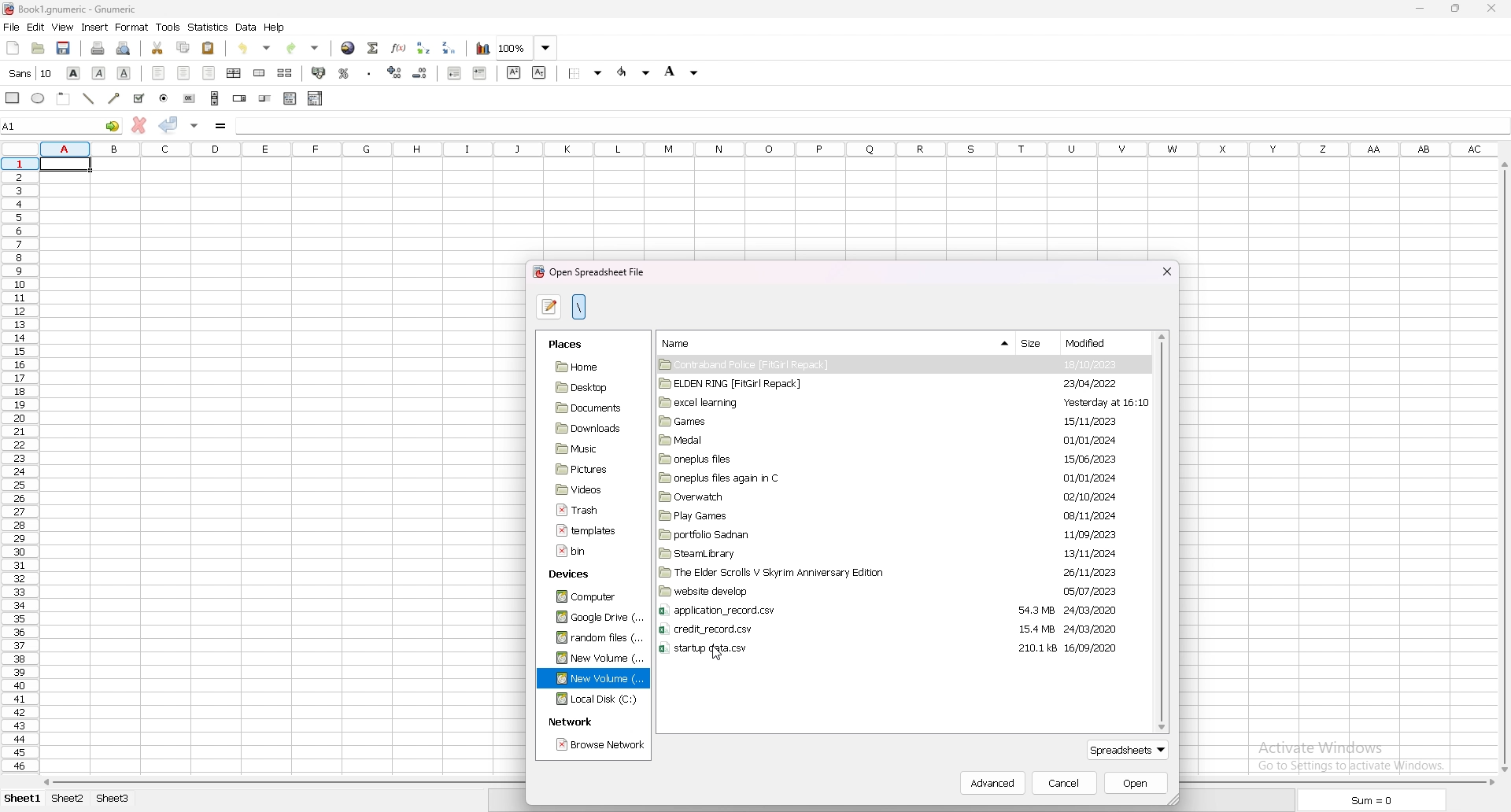 The width and height of the screenshot is (1511, 812). Describe the element at coordinates (776, 478) in the screenshot. I see `folder` at that location.